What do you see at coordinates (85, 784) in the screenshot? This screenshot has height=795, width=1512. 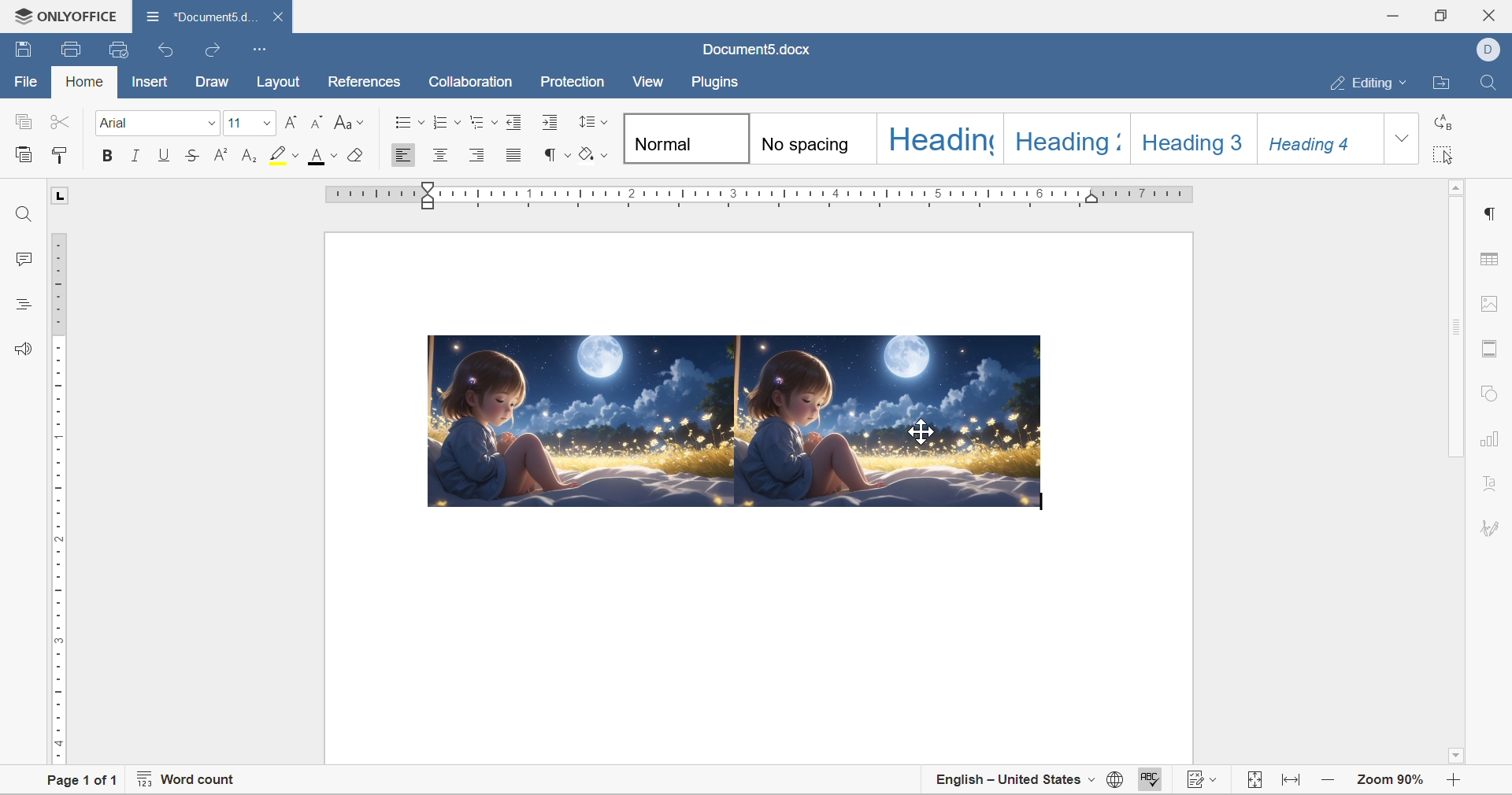 I see `page 1 of 1` at bounding box center [85, 784].